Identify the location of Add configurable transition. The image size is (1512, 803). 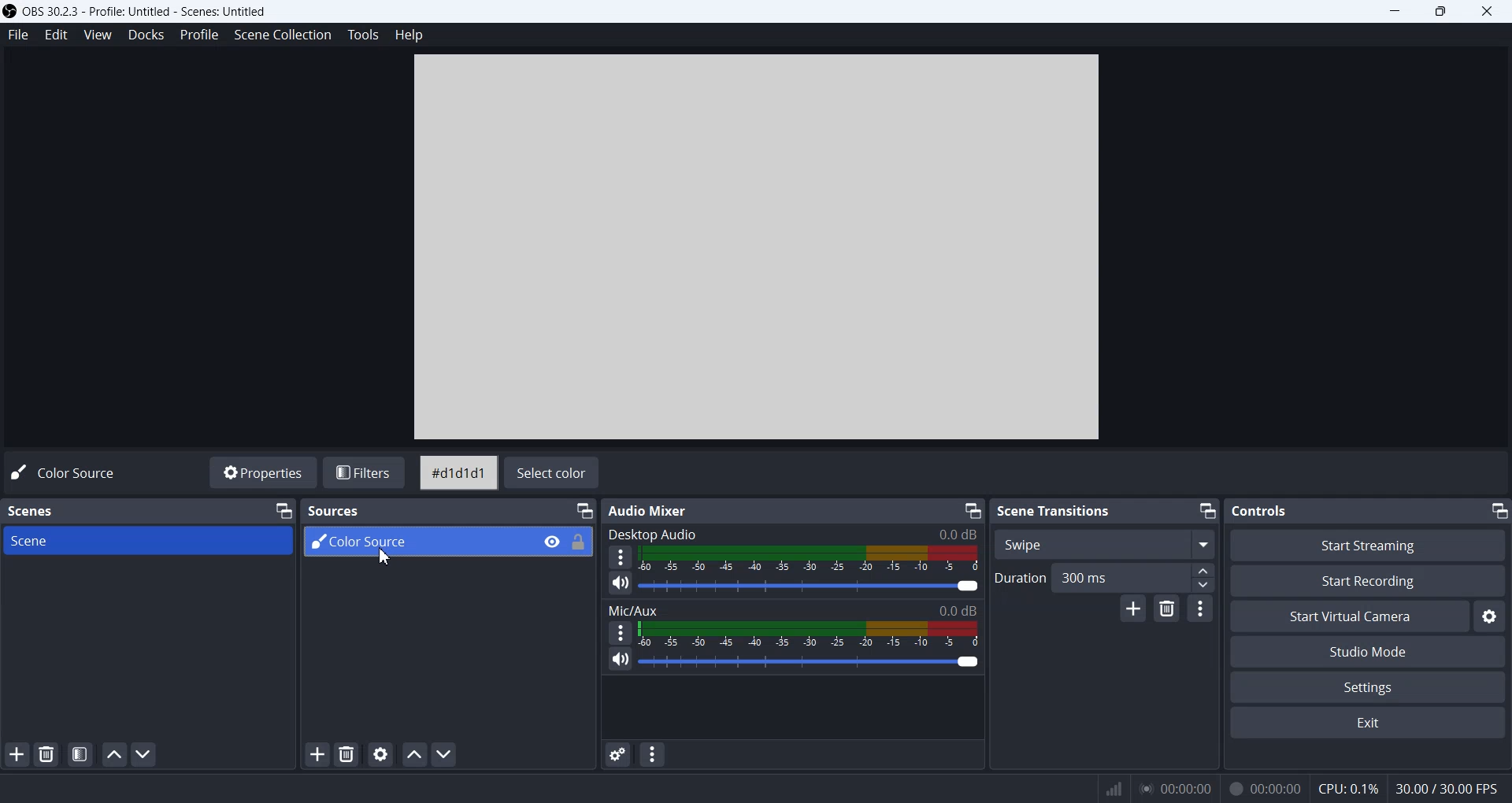
(1133, 609).